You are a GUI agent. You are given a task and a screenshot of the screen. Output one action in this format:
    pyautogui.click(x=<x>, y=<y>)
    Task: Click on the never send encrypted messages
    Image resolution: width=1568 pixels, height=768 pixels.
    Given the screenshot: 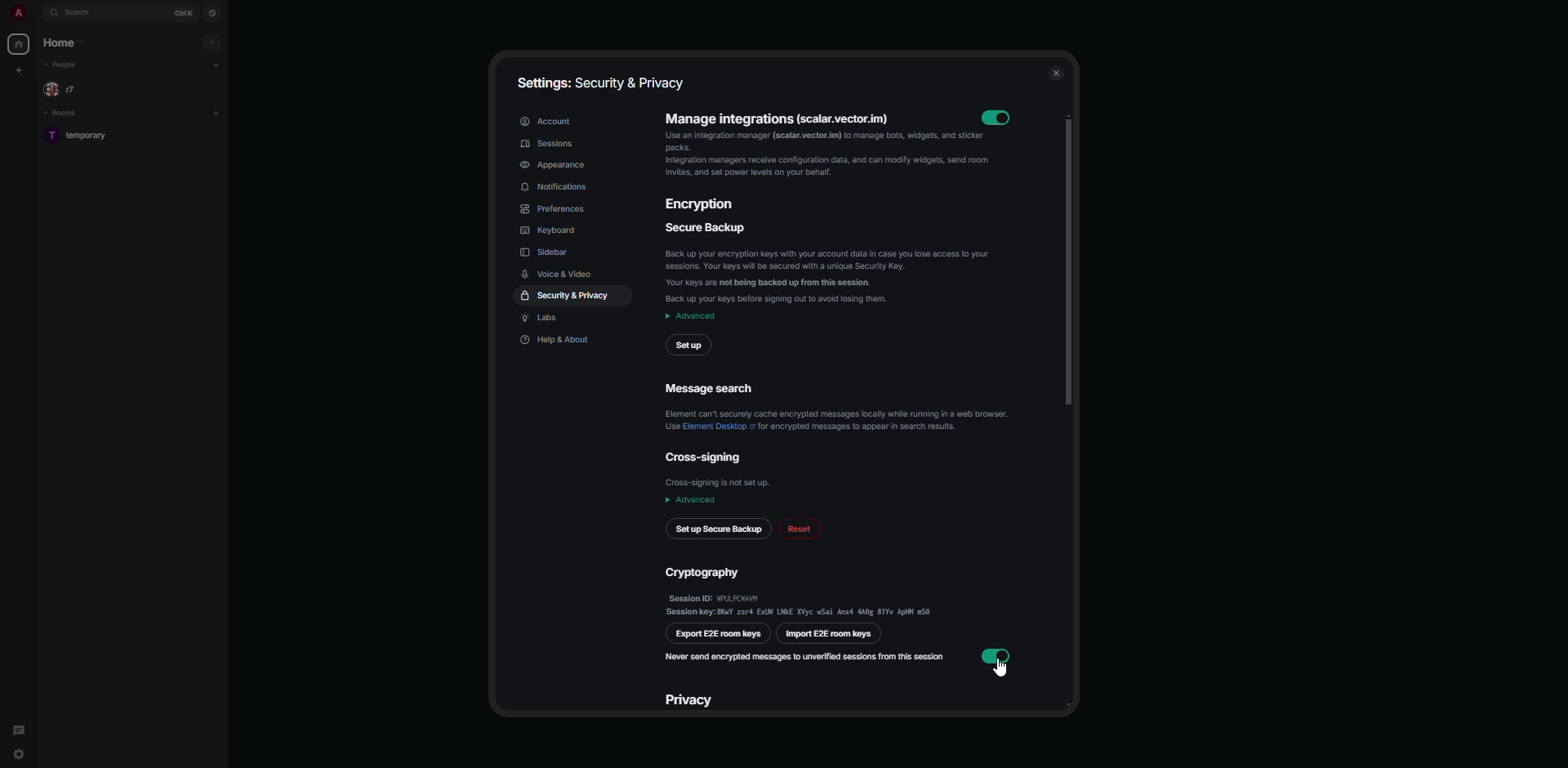 What is the action you would take?
    pyautogui.click(x=804, y=655)
    